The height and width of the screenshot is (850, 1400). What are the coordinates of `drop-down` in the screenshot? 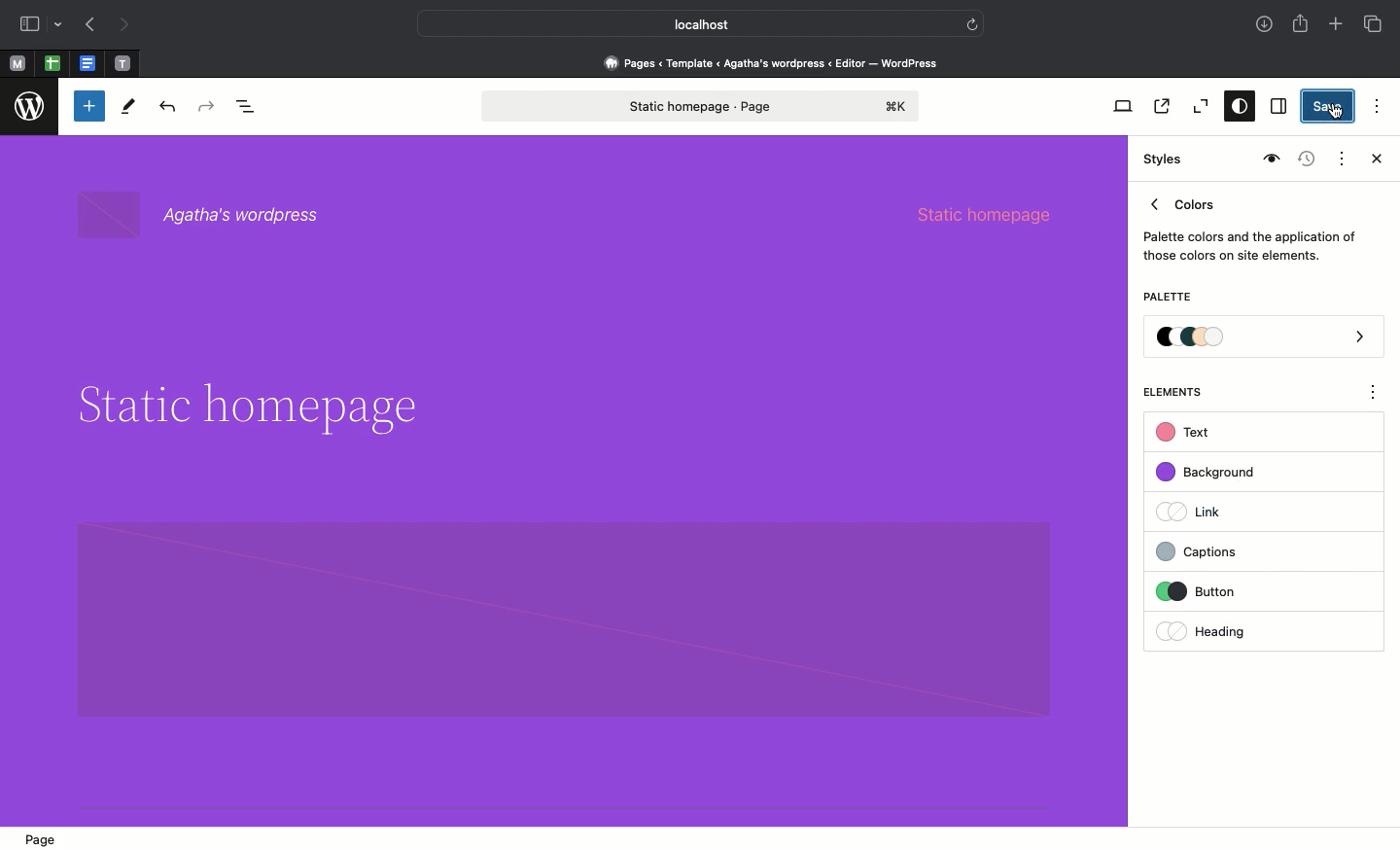 It's located at (61, 25).